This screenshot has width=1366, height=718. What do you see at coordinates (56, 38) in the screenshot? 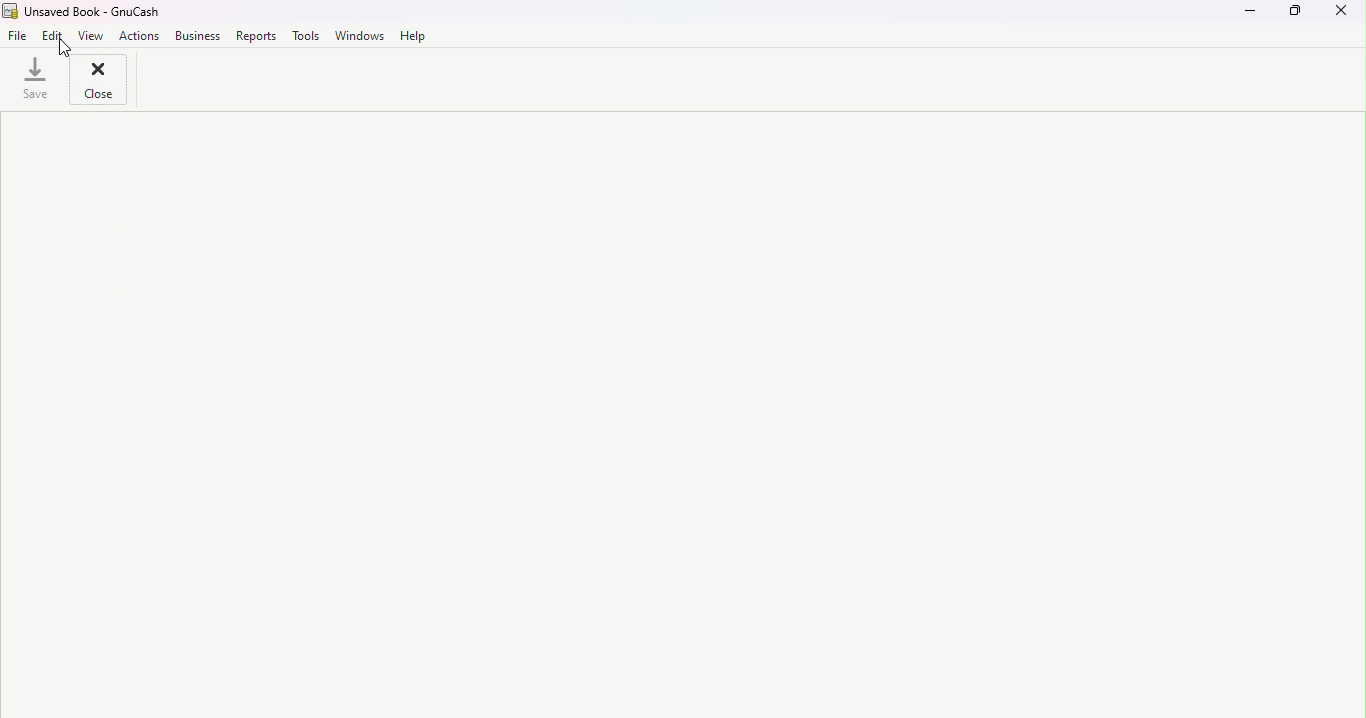
I see `Edit` at bounding box center [56, 38].